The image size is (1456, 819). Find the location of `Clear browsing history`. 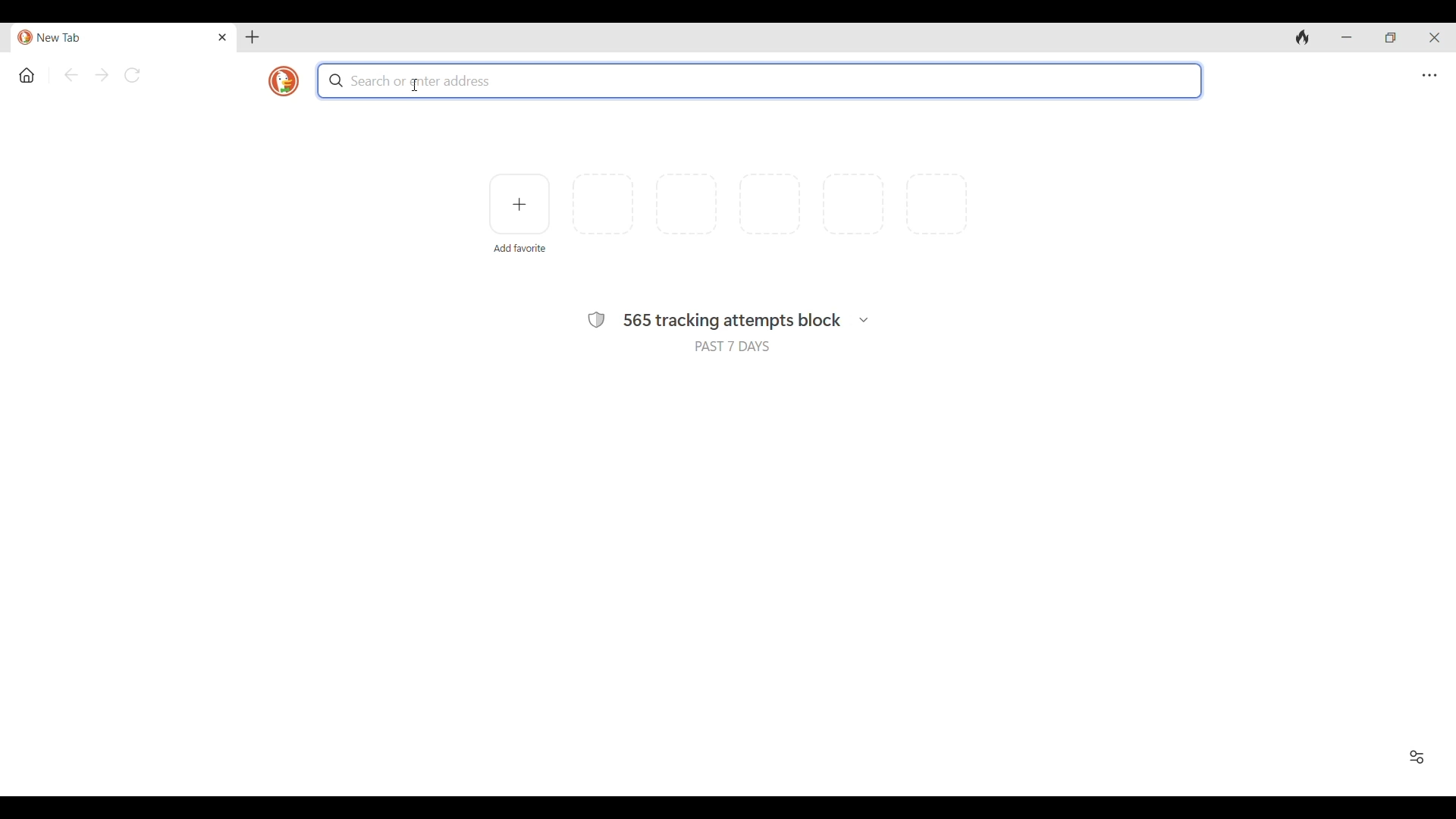

Clear browsing history is located at coordinates (1303, 37).